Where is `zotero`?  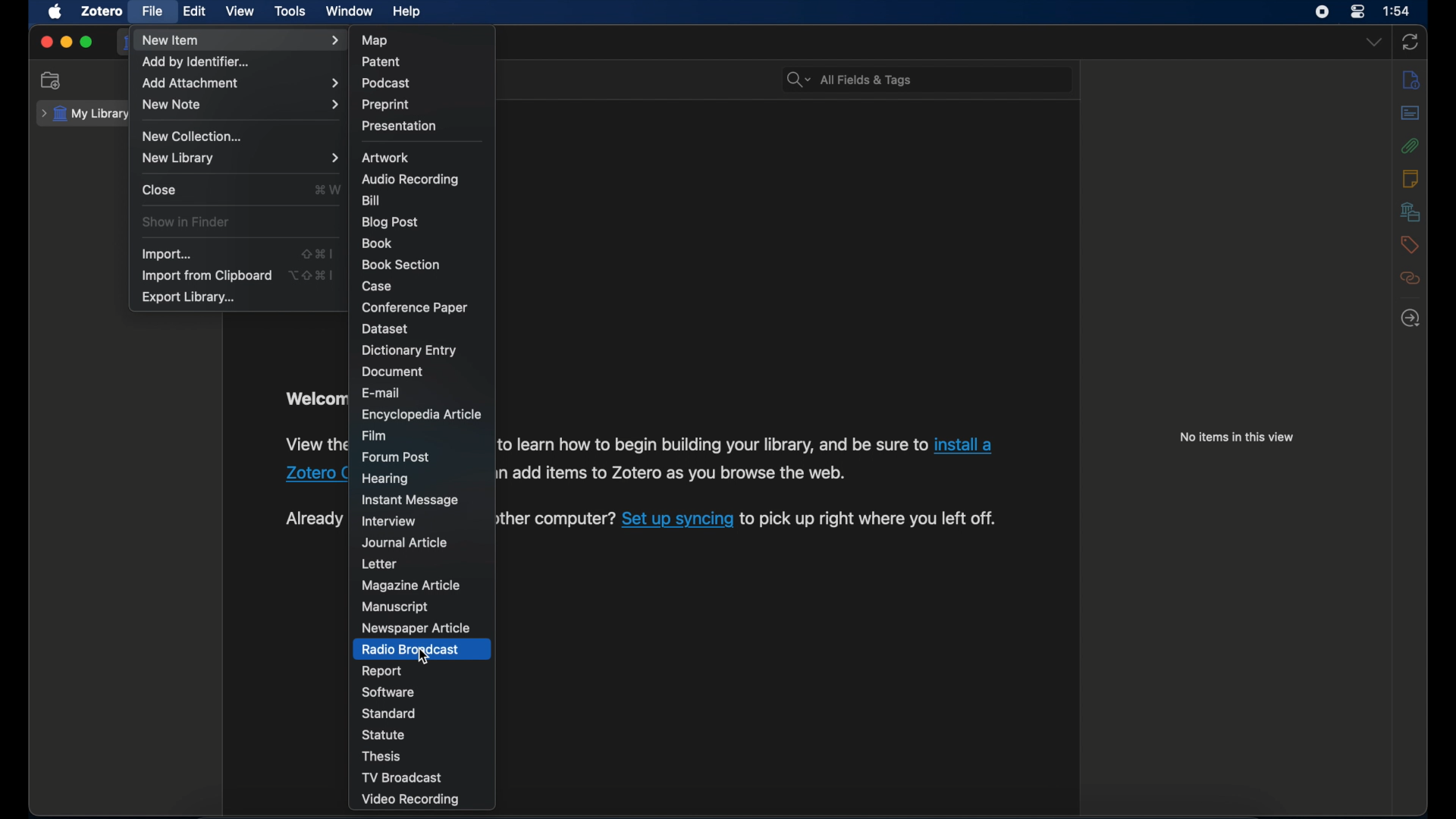
zotero is located at coordinates (102, 11).